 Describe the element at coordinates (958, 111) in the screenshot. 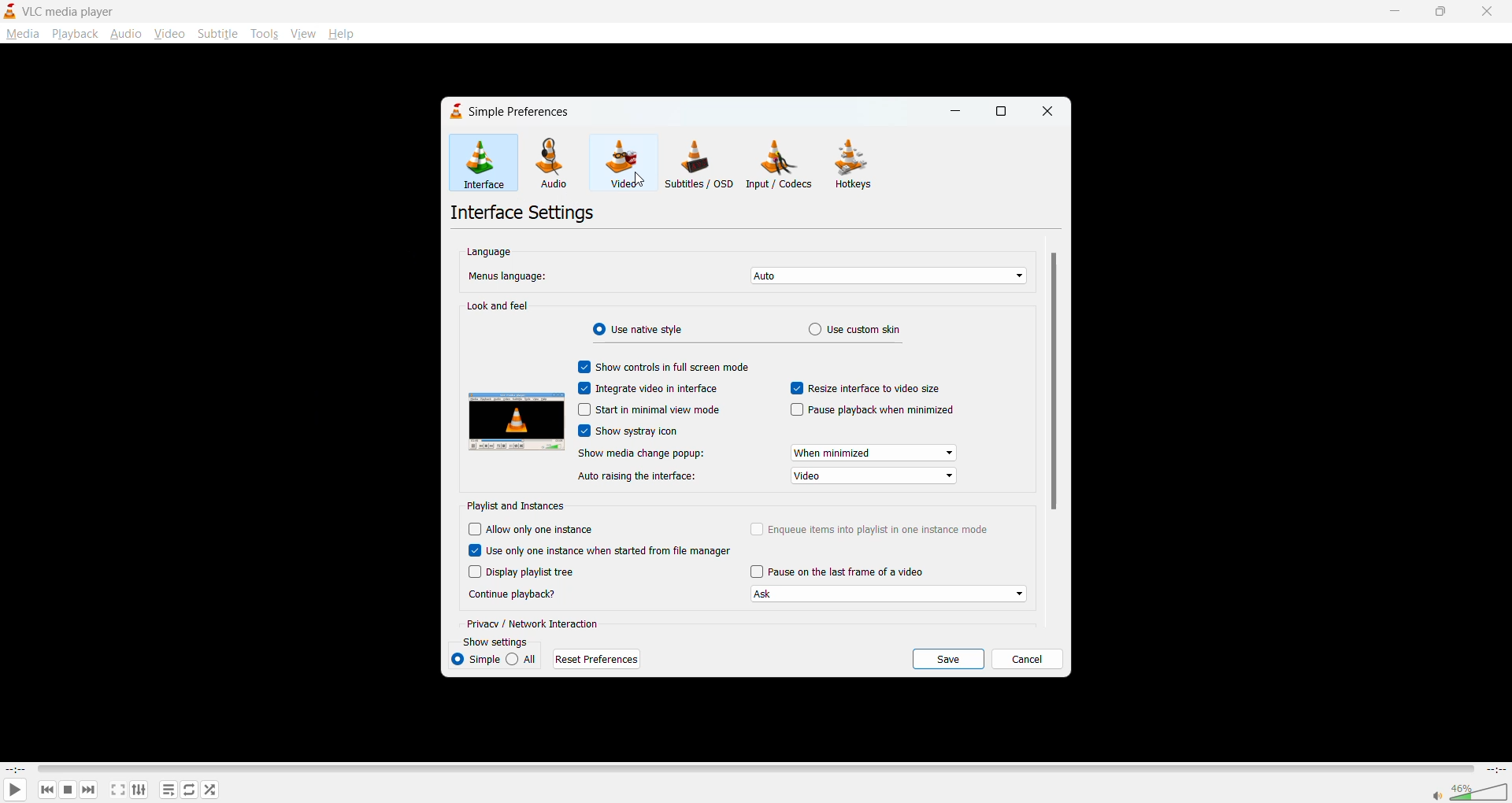

I see `minimize` at that location.